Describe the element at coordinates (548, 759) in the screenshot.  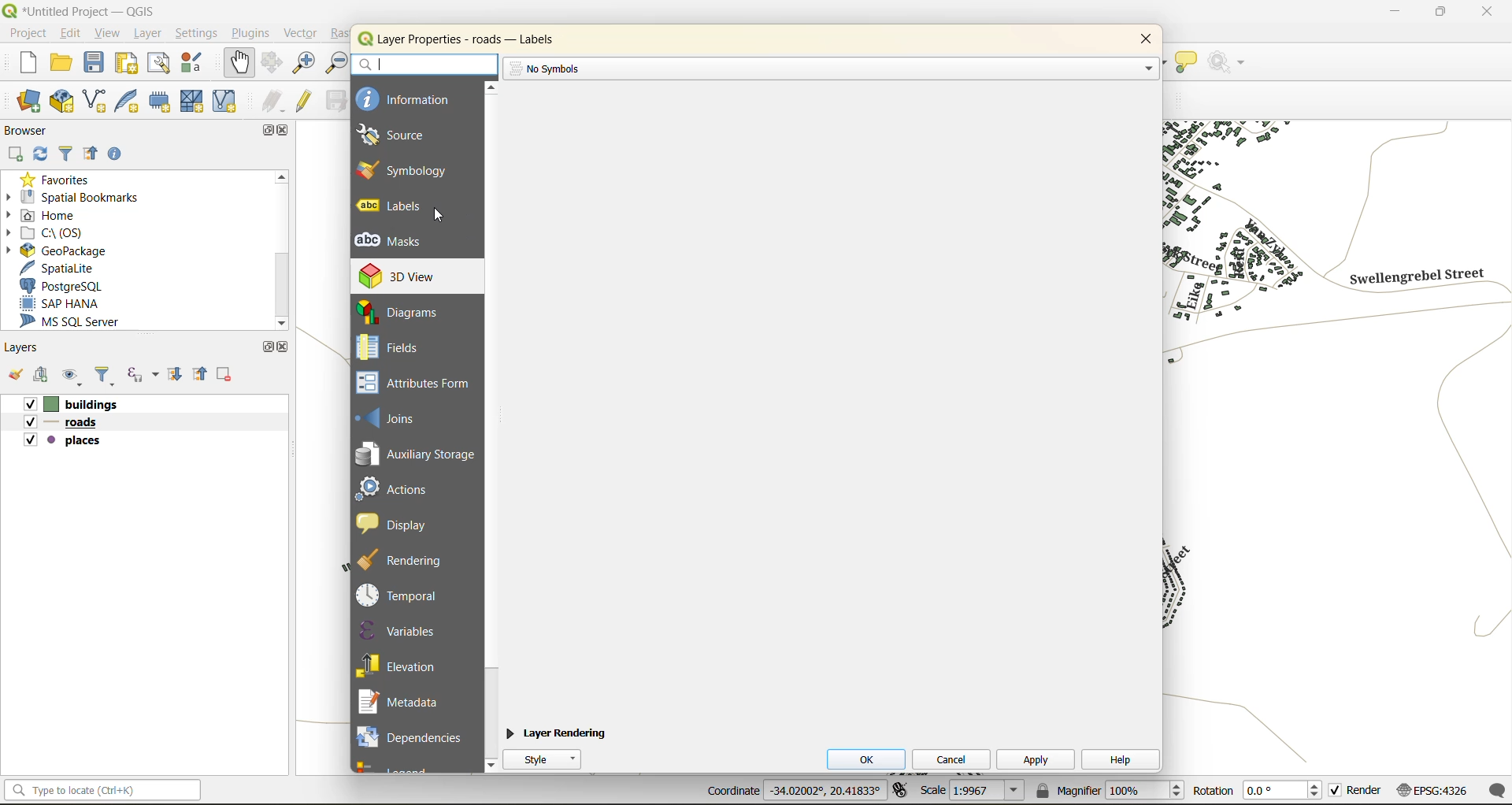
I see `style` at that location.